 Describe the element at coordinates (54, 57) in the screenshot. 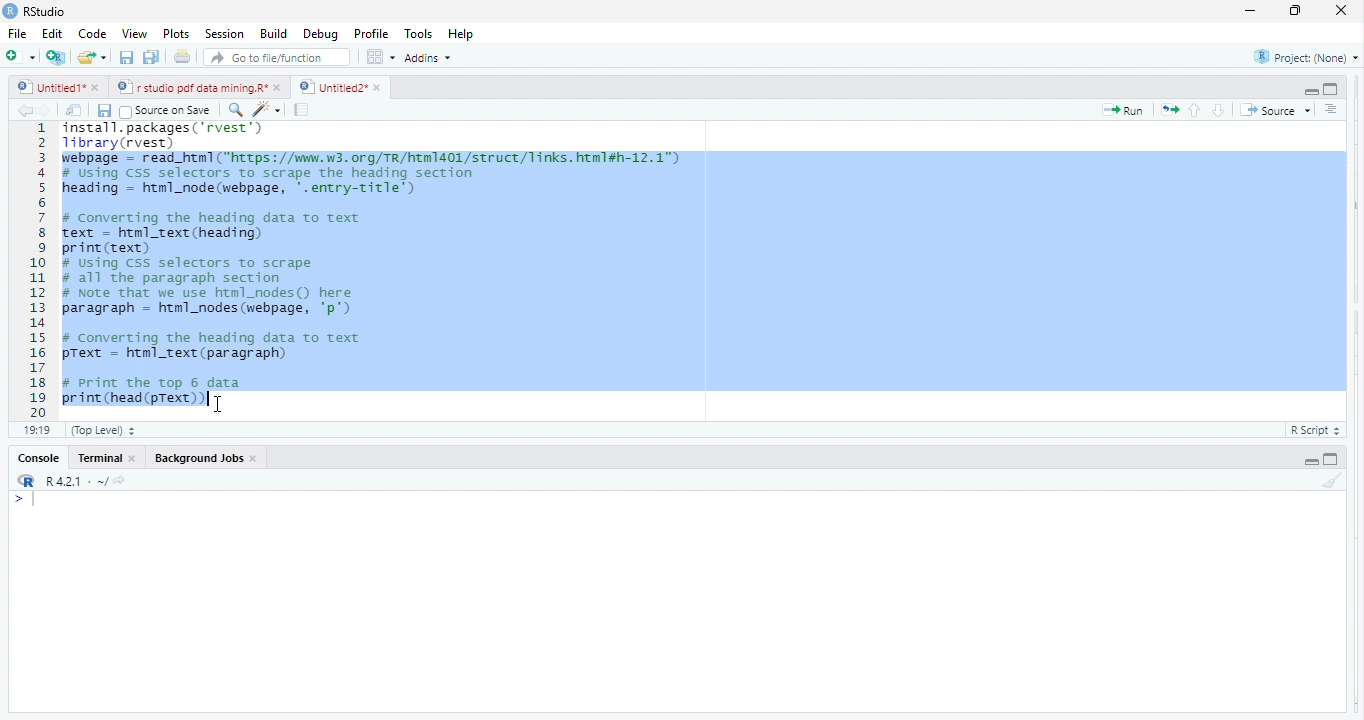

I see `create a project` at that location.